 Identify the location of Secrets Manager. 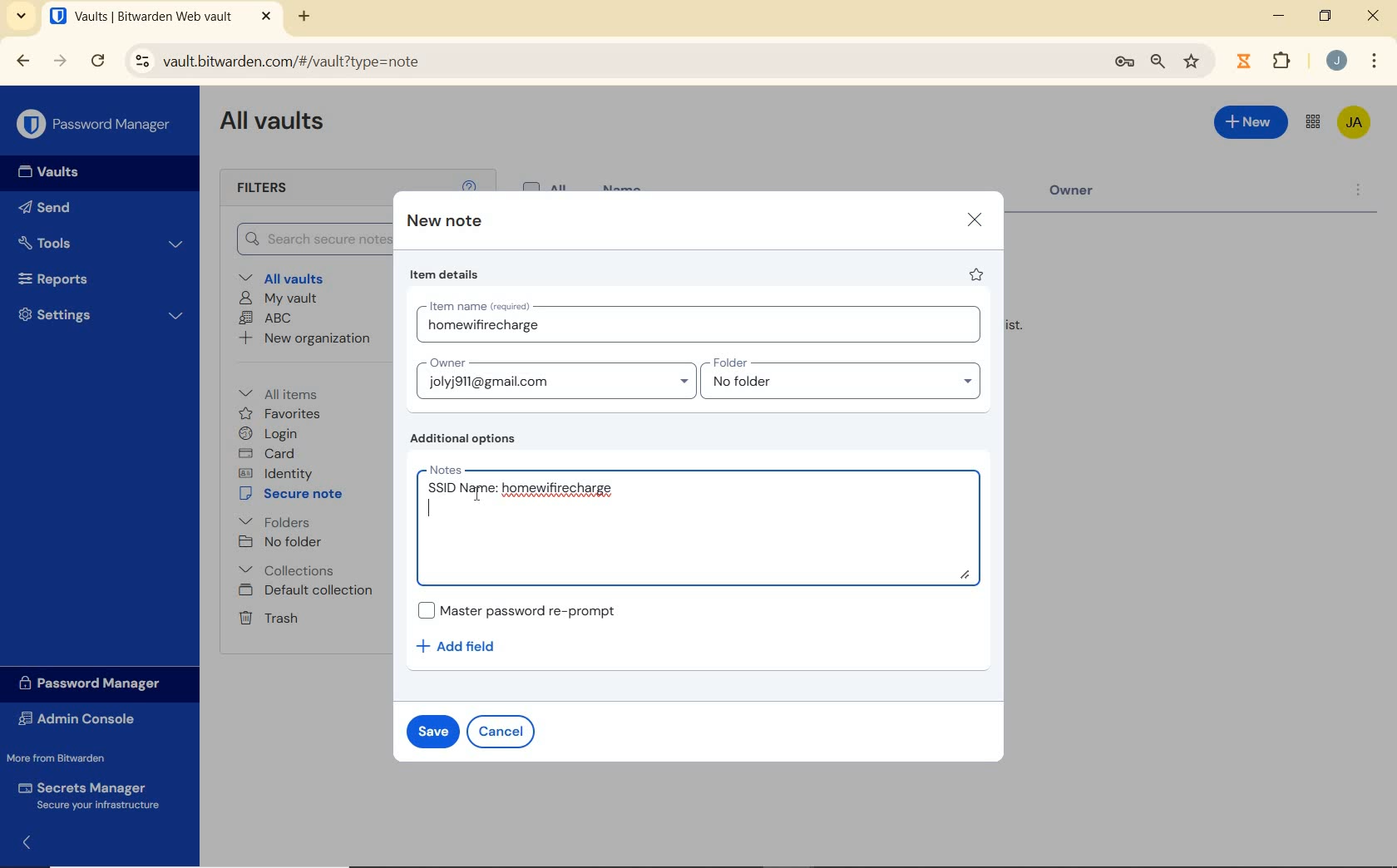
(93, 795).